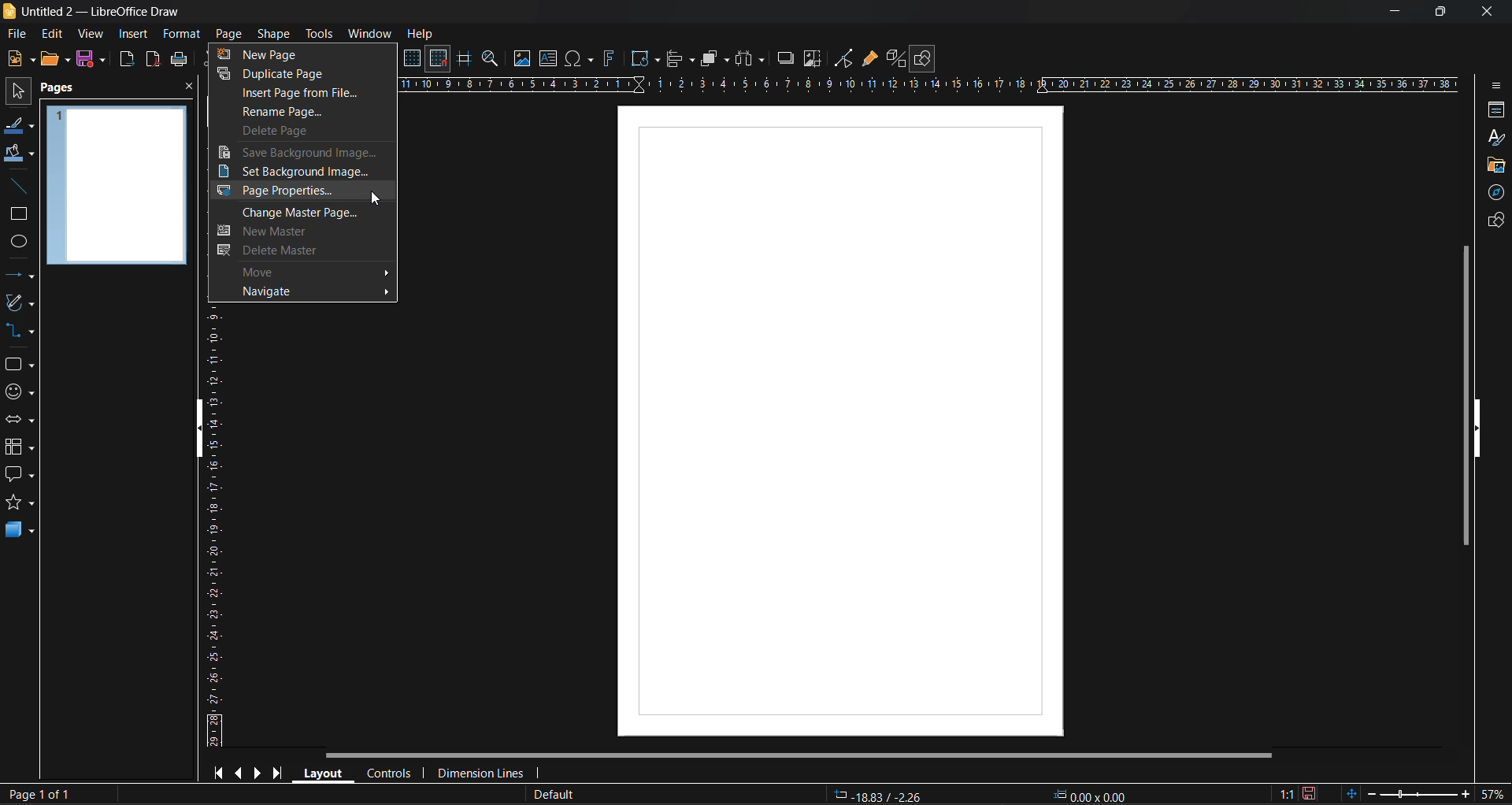 The width and height of the screenshot is (1512, 805). I want to click on new master, so click(277, 232).